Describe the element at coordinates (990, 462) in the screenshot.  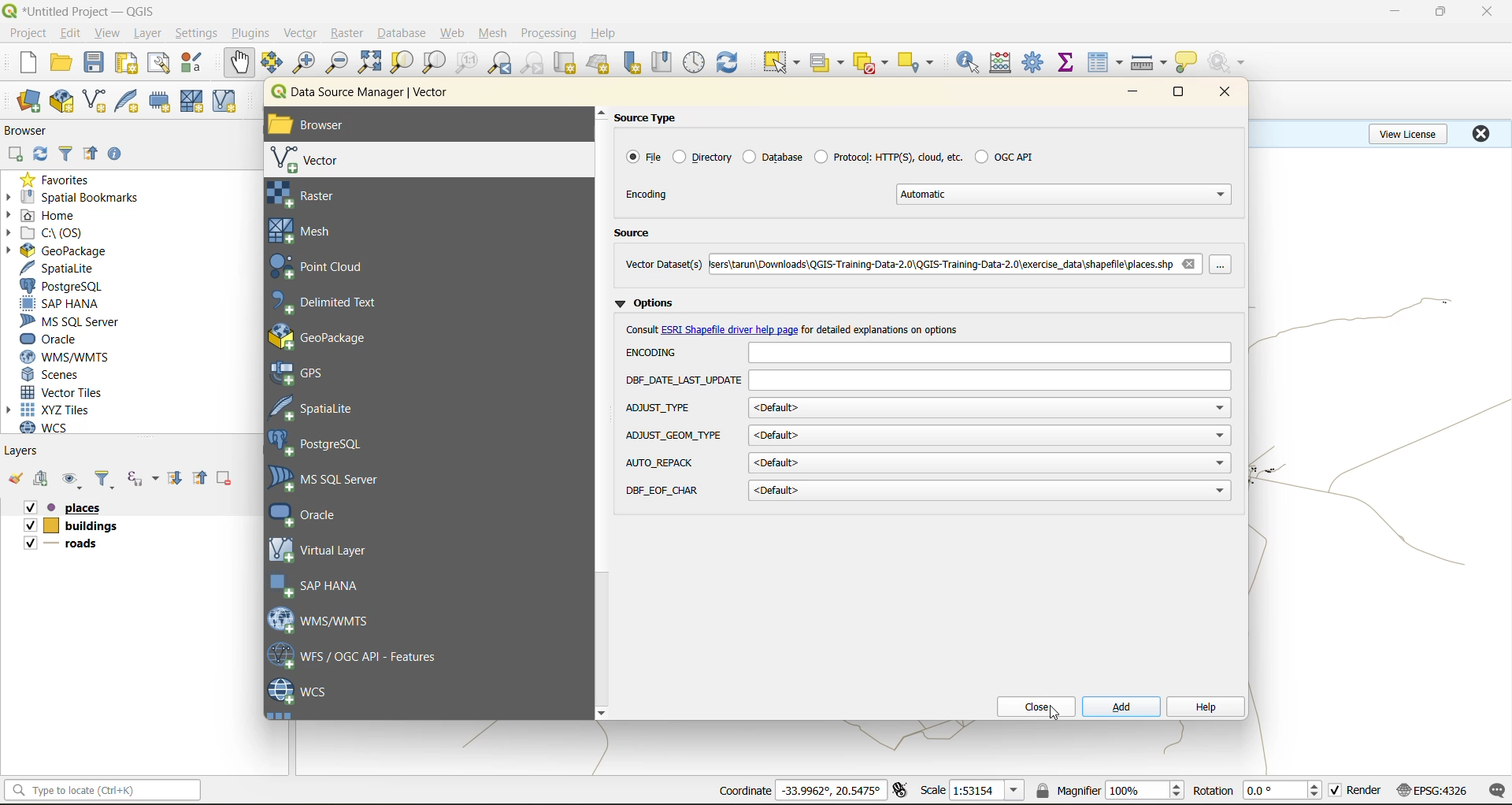
I see `auto repack` at that location.